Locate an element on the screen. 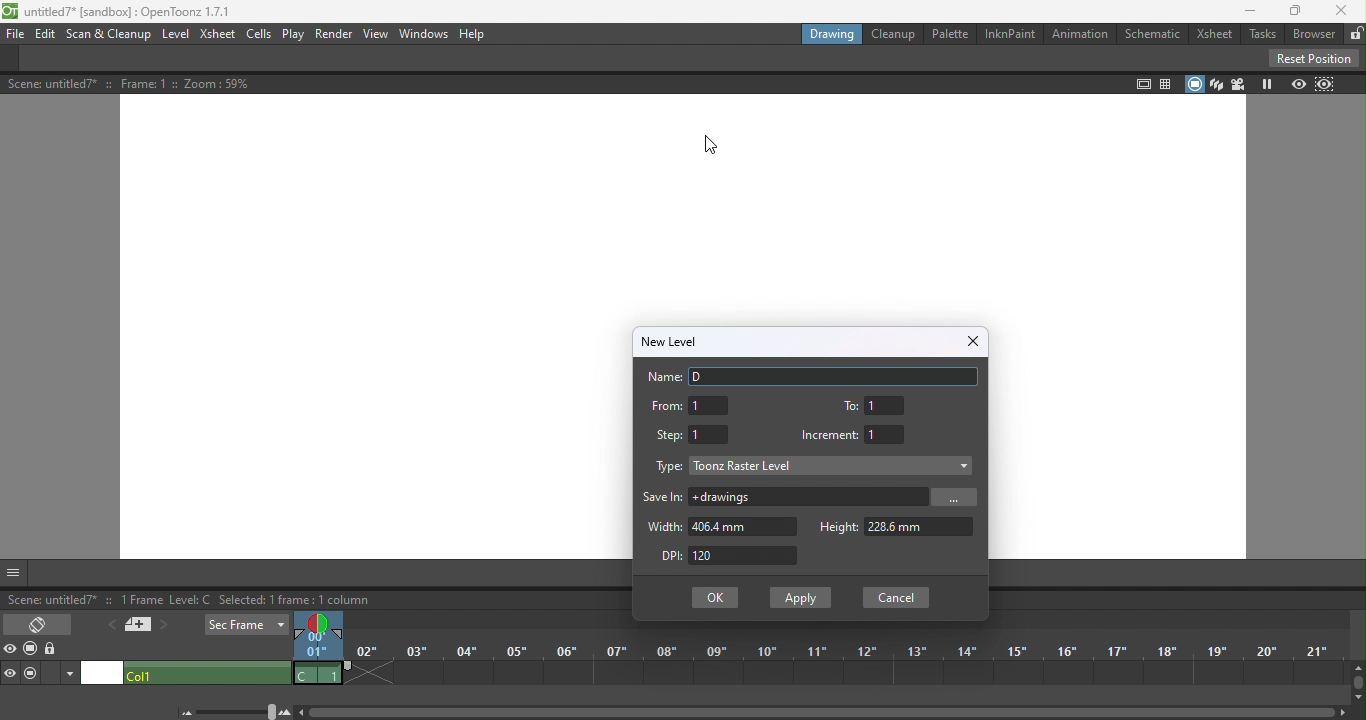  InknPaint is located at coordinates (1007, 34).